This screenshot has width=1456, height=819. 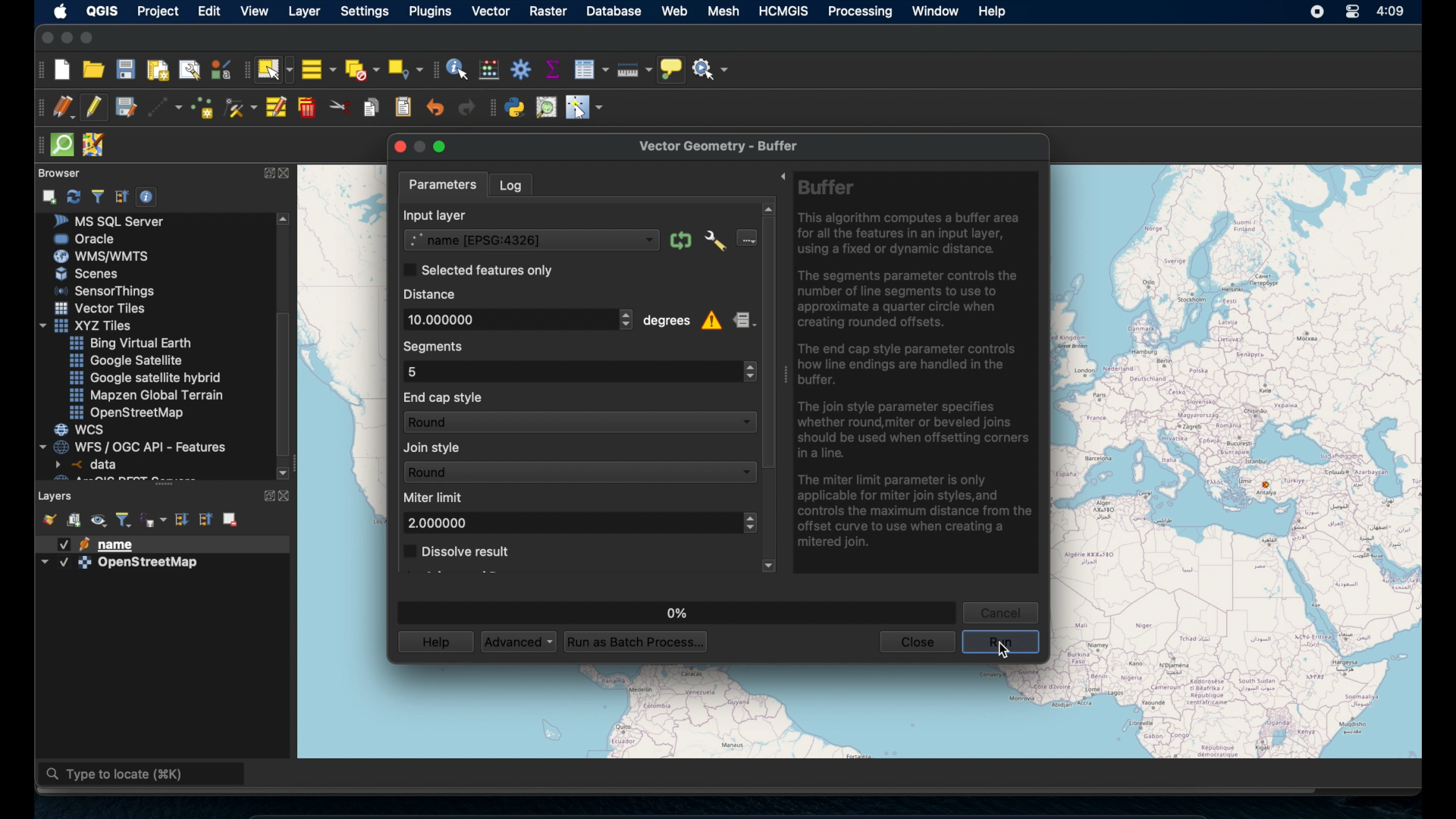 What do you see at coordinates (403, 106) in the screenshot?
I see `paste features` at bounding box center [403, 106].